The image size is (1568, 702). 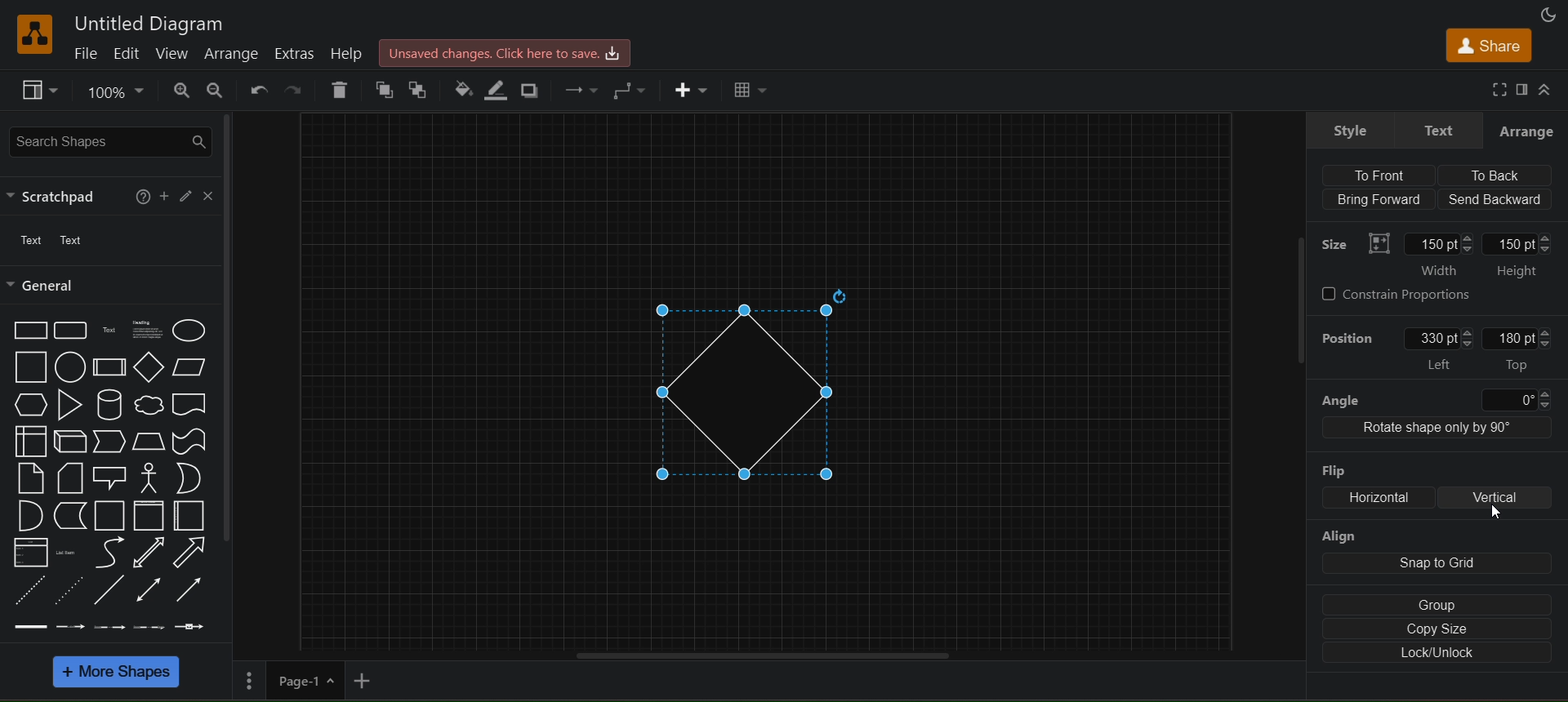 What do you see at coordinates (1344, 535) in the screenshot?
I see `align` at bounding box center [1344, 535].